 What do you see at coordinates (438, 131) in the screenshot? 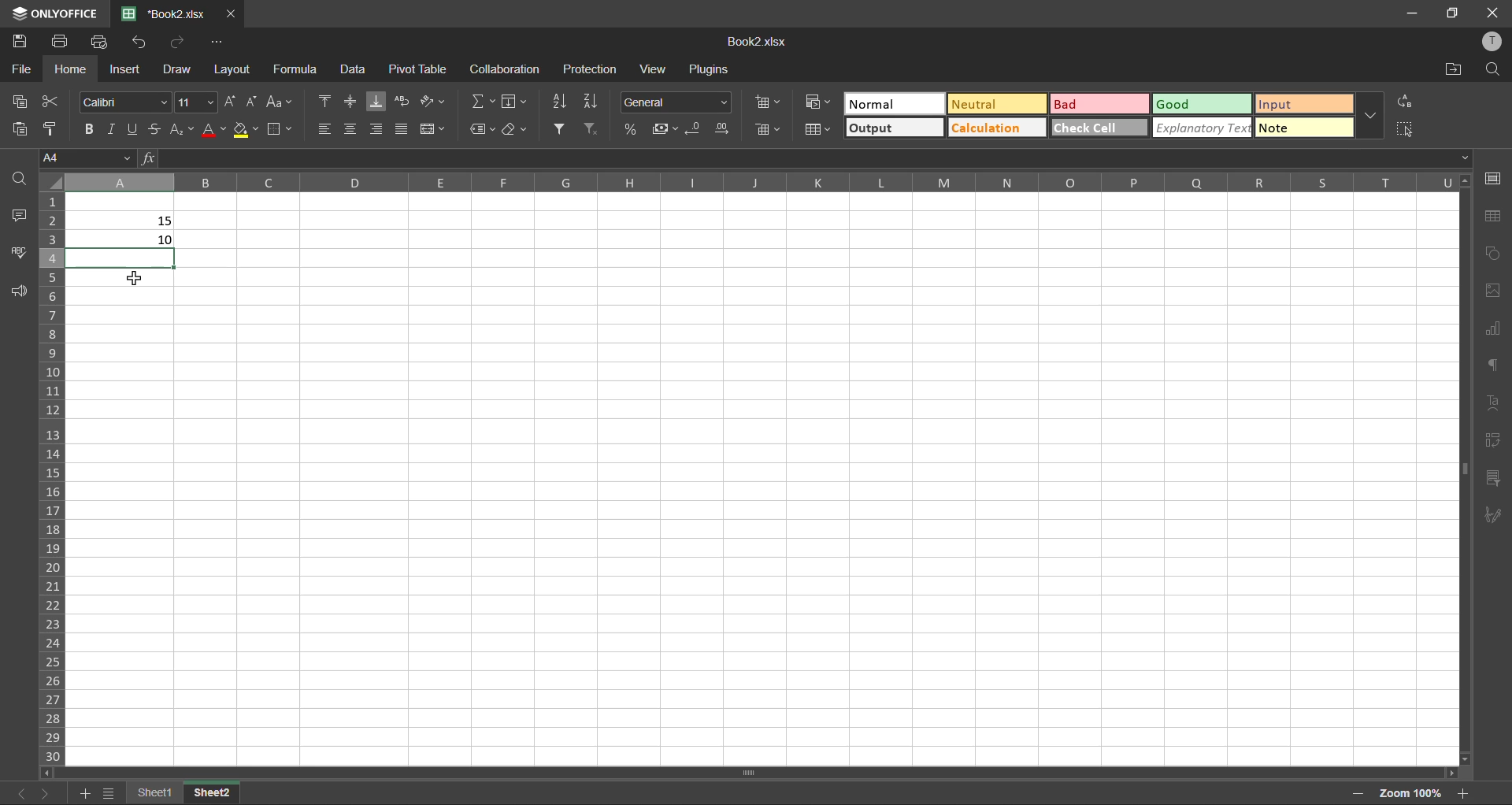
I see `merge and center` at bounding box center [438, 131].